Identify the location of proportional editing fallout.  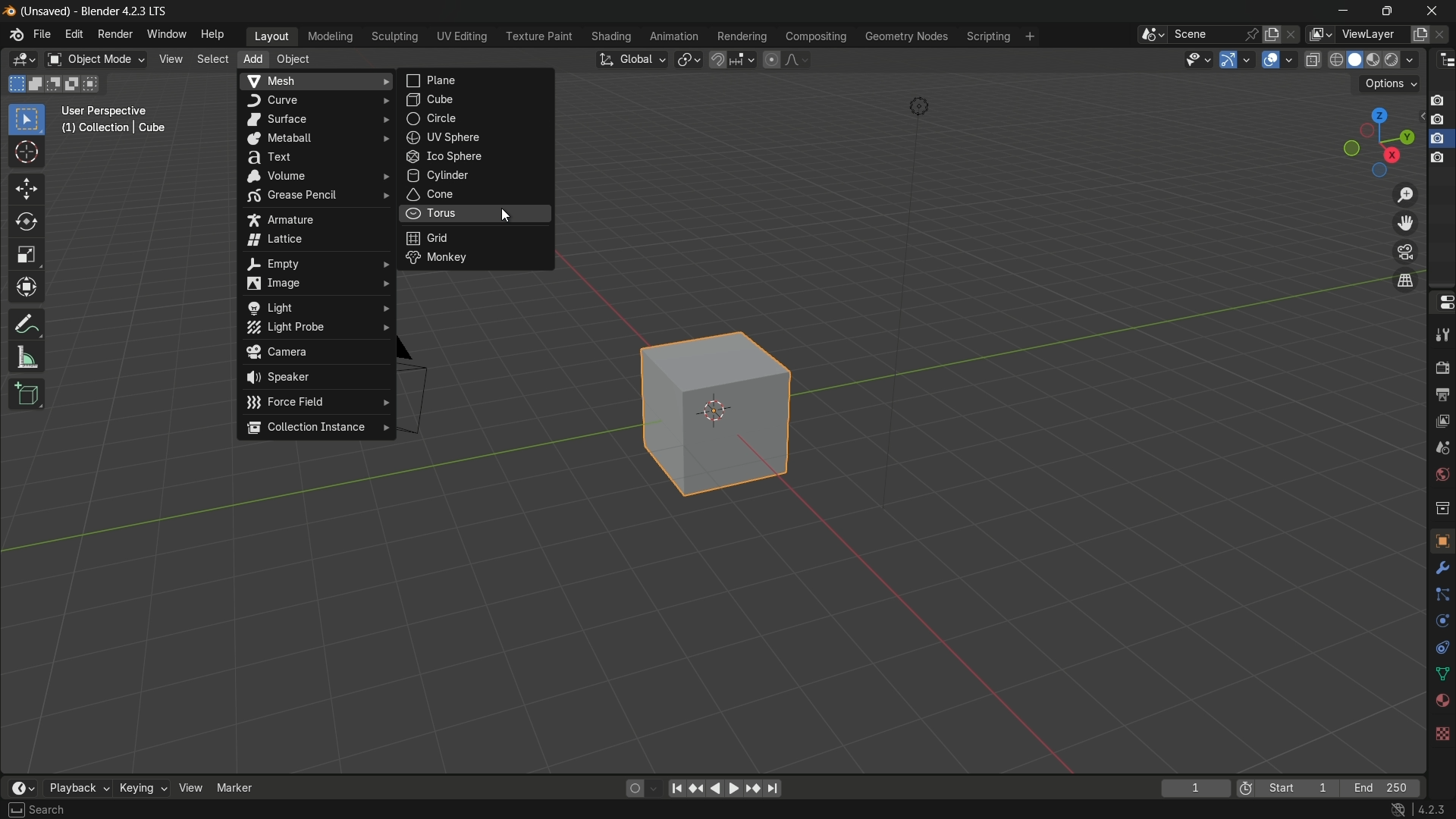
(794, 59).